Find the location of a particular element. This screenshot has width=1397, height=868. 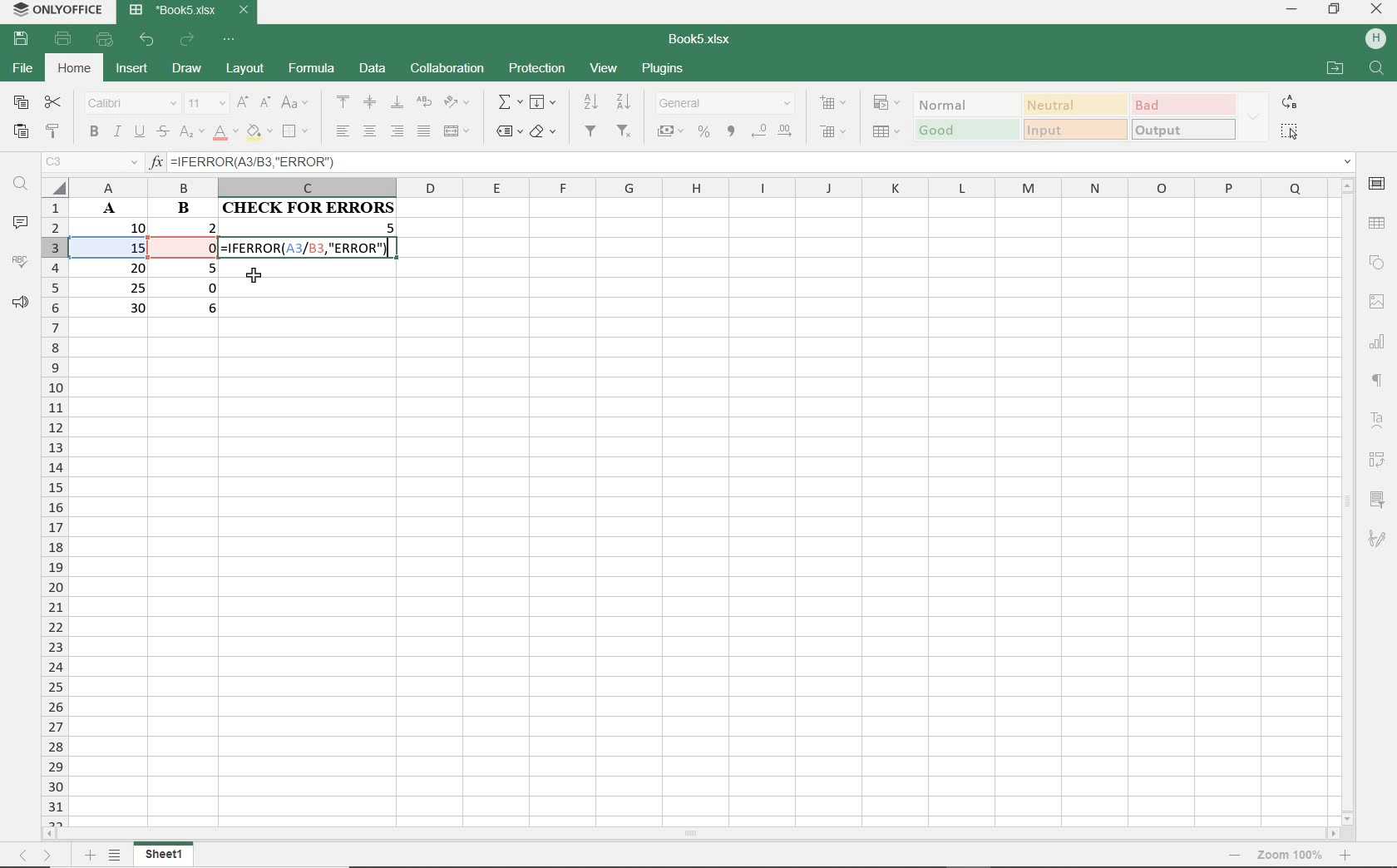

 is located at coordinates (1380, 339).